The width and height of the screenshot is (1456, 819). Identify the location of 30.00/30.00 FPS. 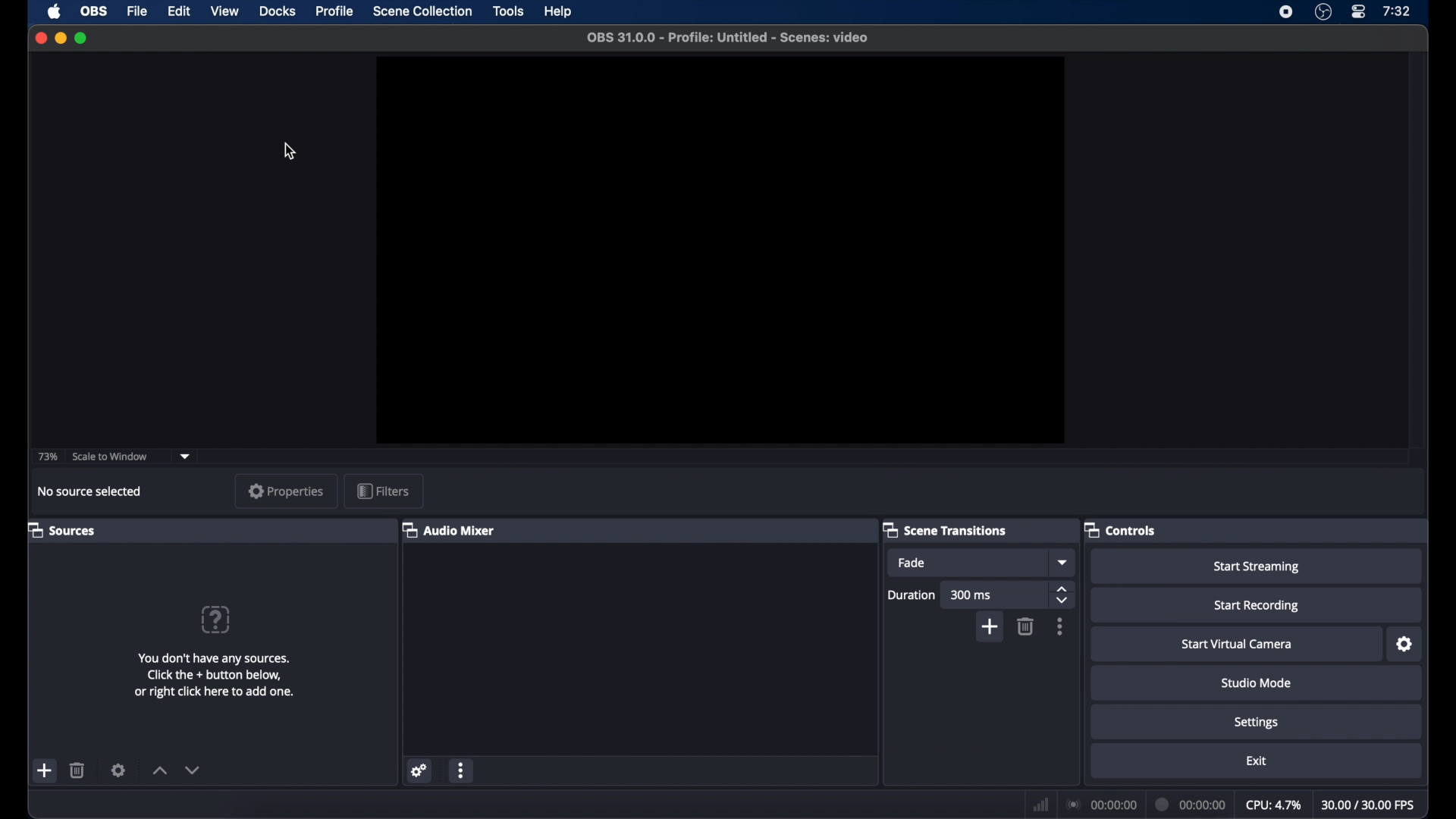
(1370, 805).